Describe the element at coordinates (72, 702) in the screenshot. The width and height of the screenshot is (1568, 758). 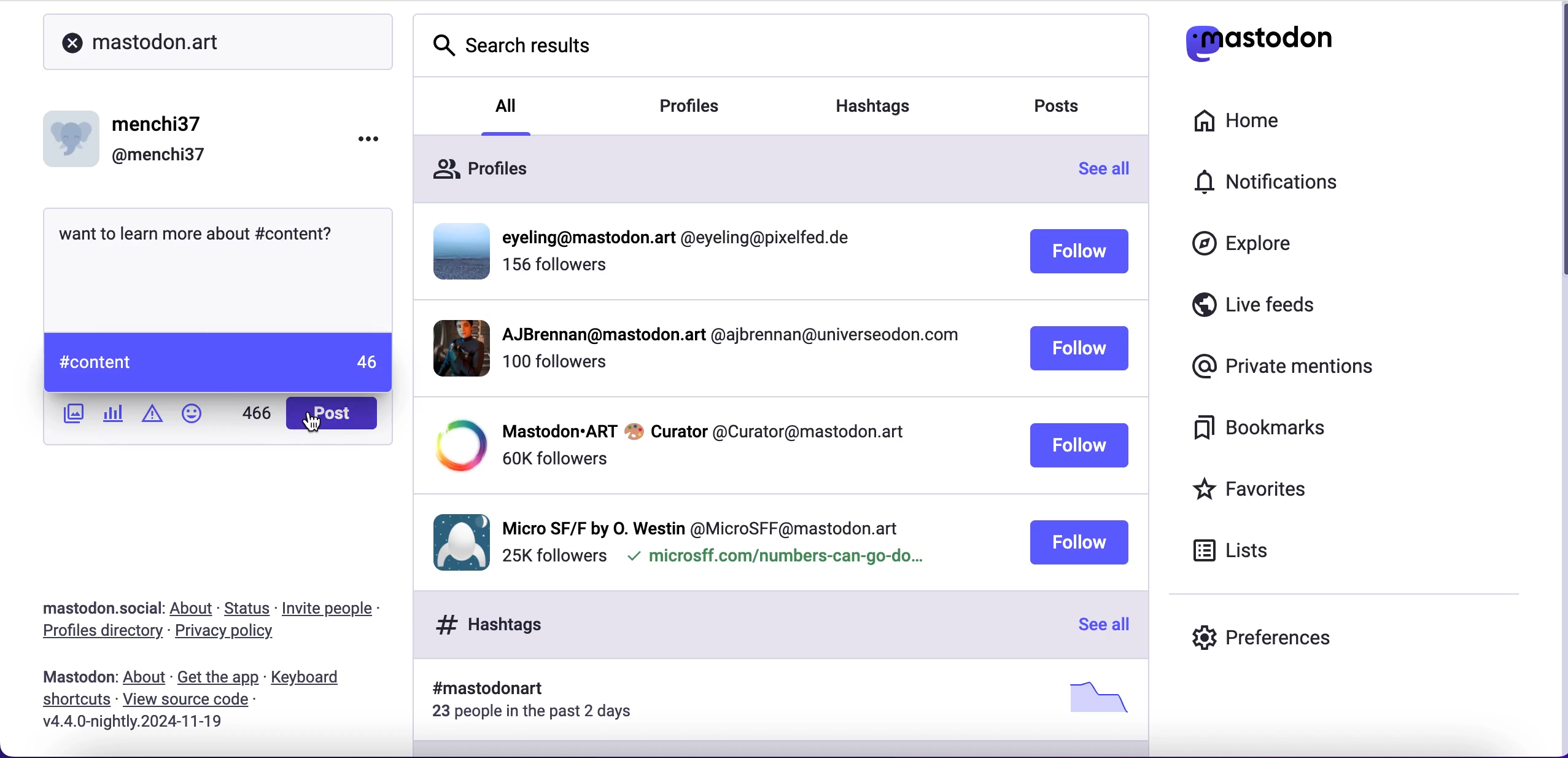
I see `shortcuts` at that location.